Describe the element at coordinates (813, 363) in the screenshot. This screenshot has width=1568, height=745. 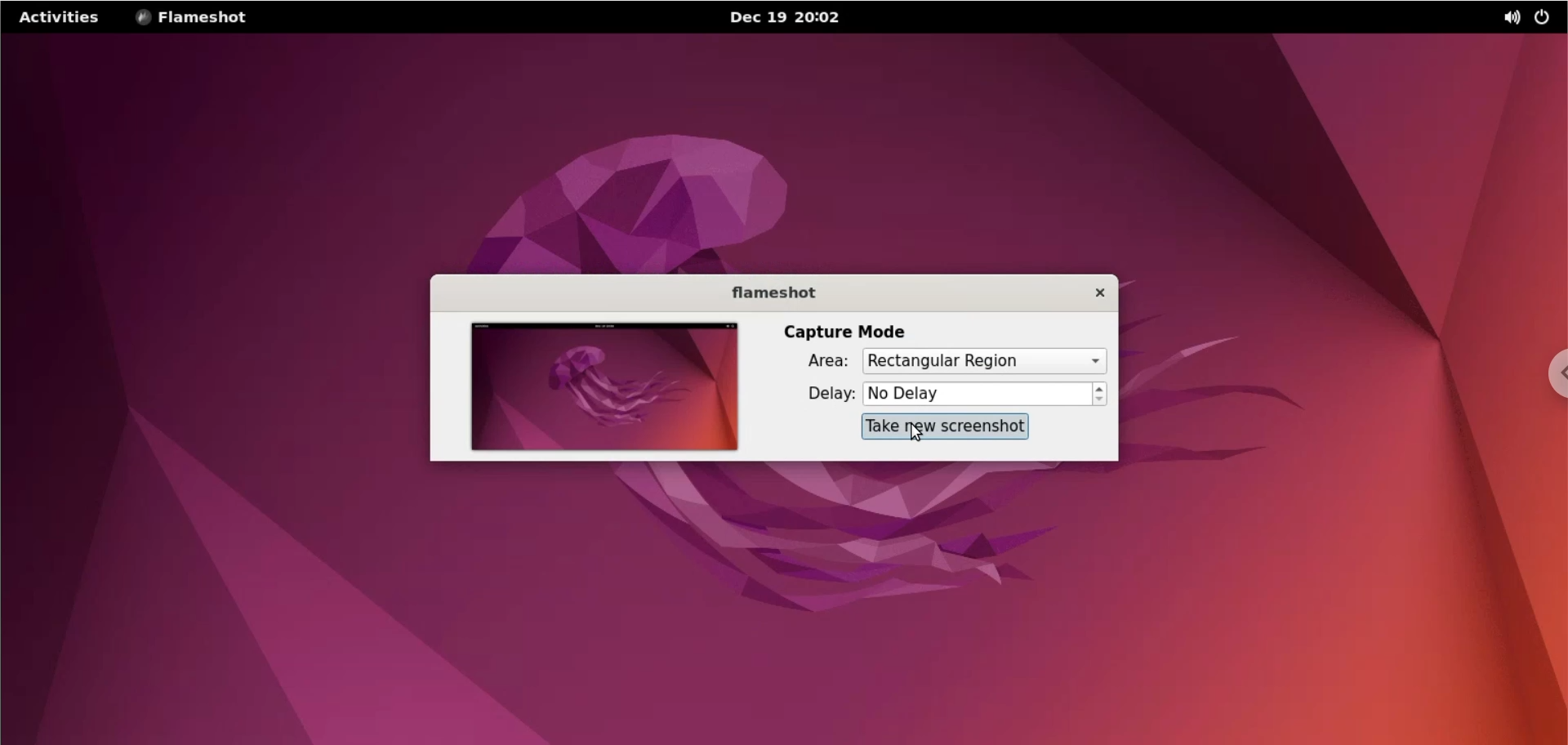
I see `area ` at that location.